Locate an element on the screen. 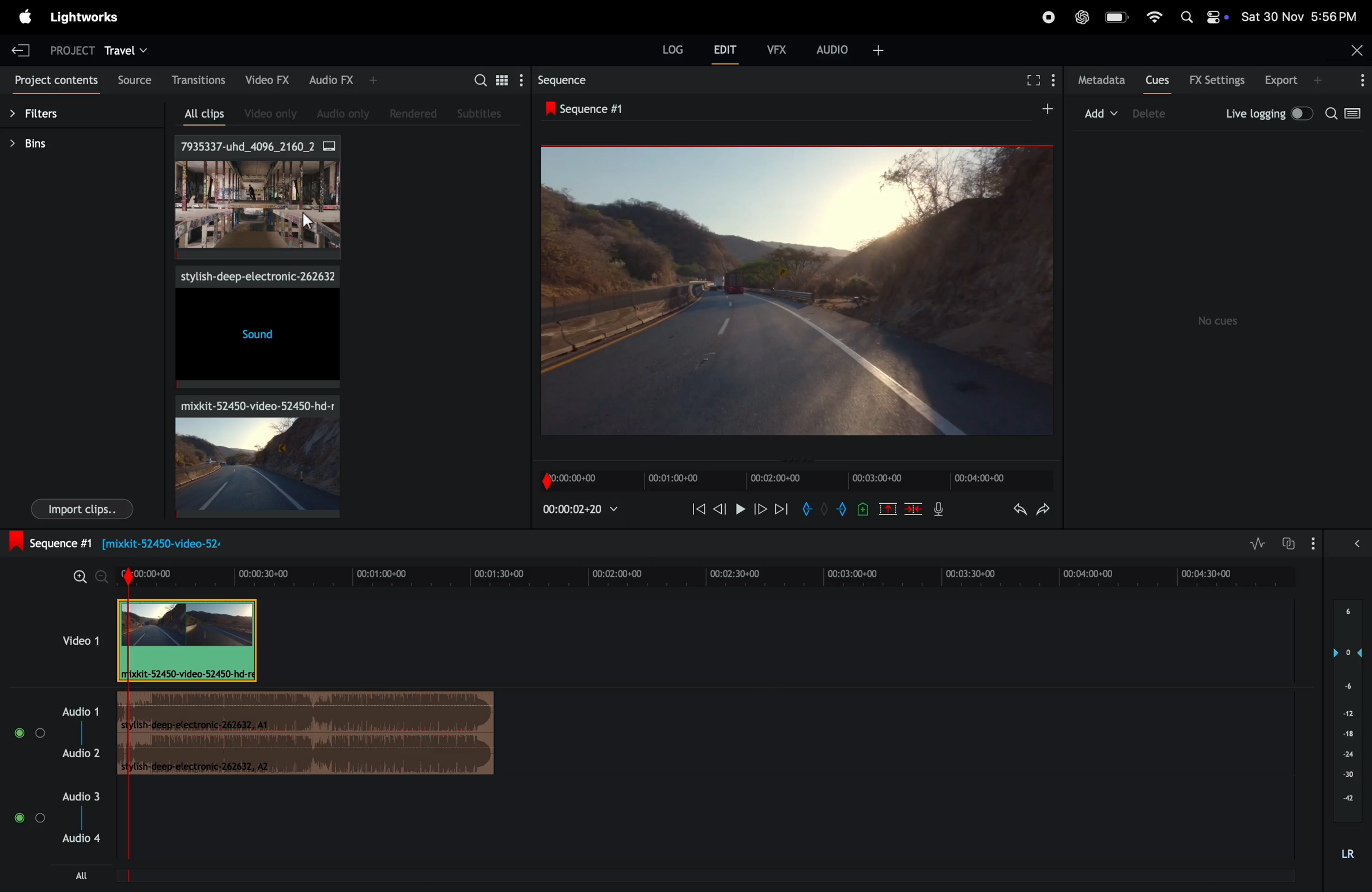 Image resolution: width=1372 pixels, height=892 pixels. light works is located at coordinates (88, 18).